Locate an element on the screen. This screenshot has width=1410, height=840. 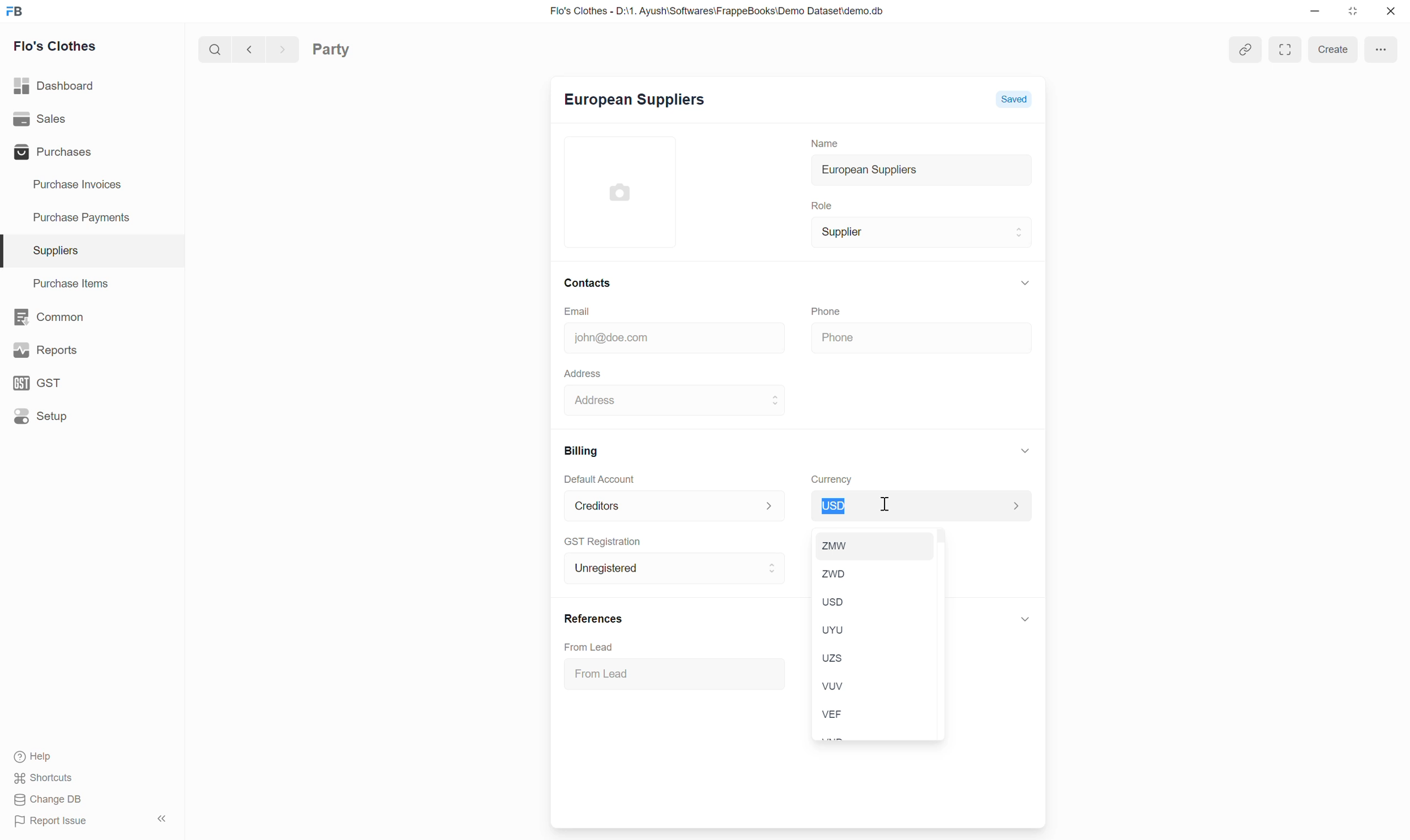
Suppliers is located at coordinates (51, 248).